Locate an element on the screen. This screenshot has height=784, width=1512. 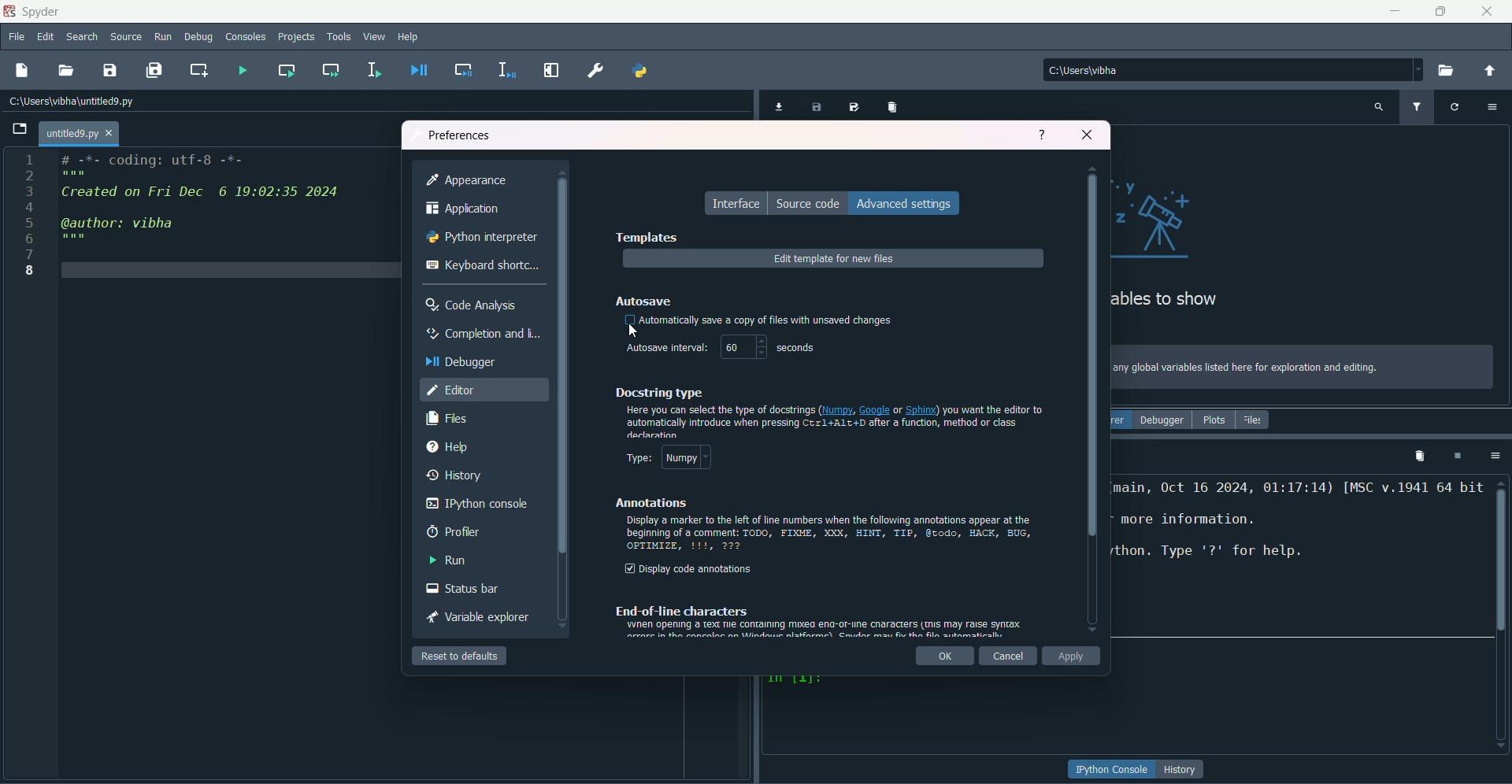
options is located at coordinates (1495, 105).